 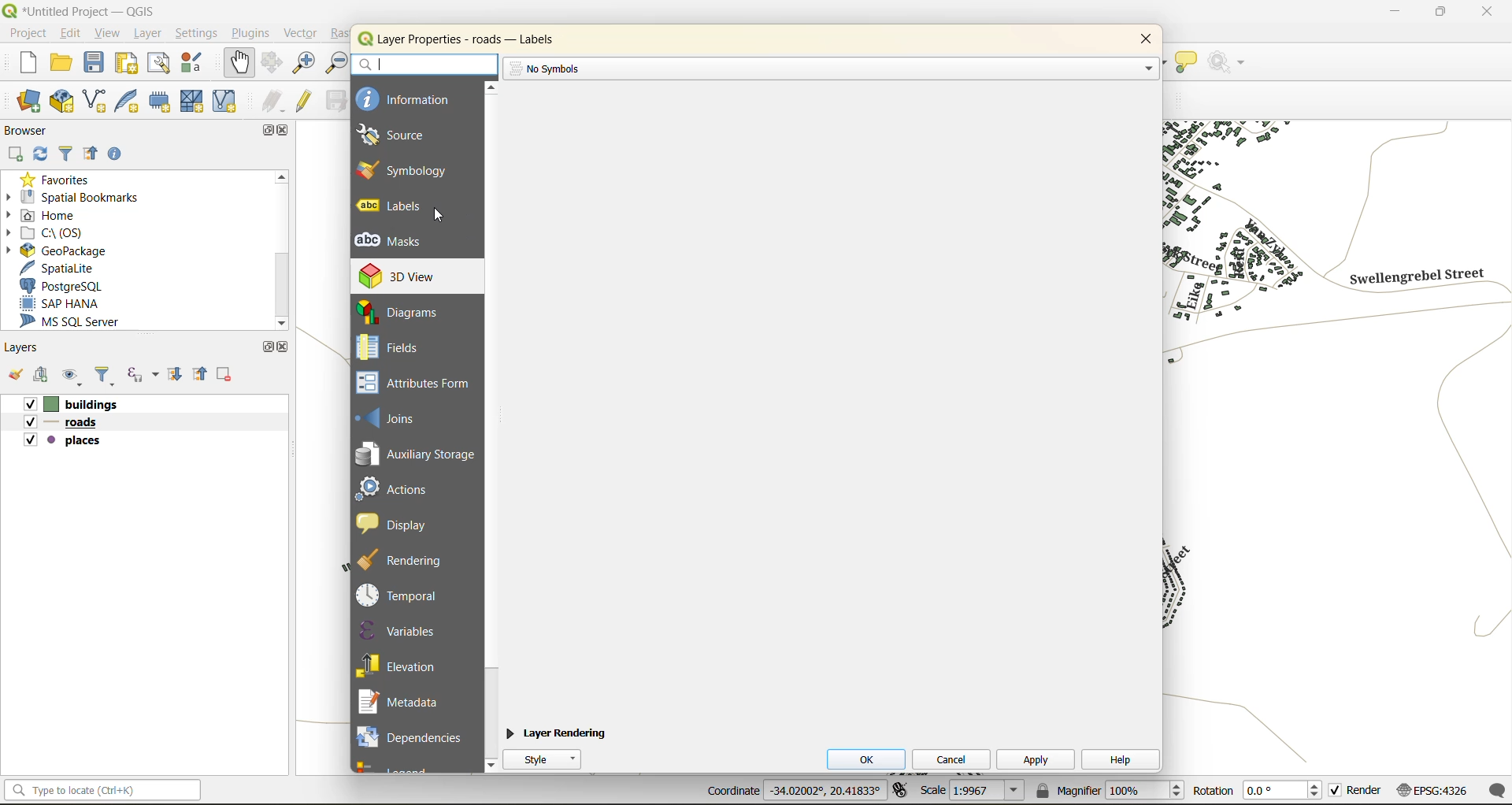 What do you see at coordinates (43, 374) in the screenshot?
I see `add` at bounding box center [43, 374].